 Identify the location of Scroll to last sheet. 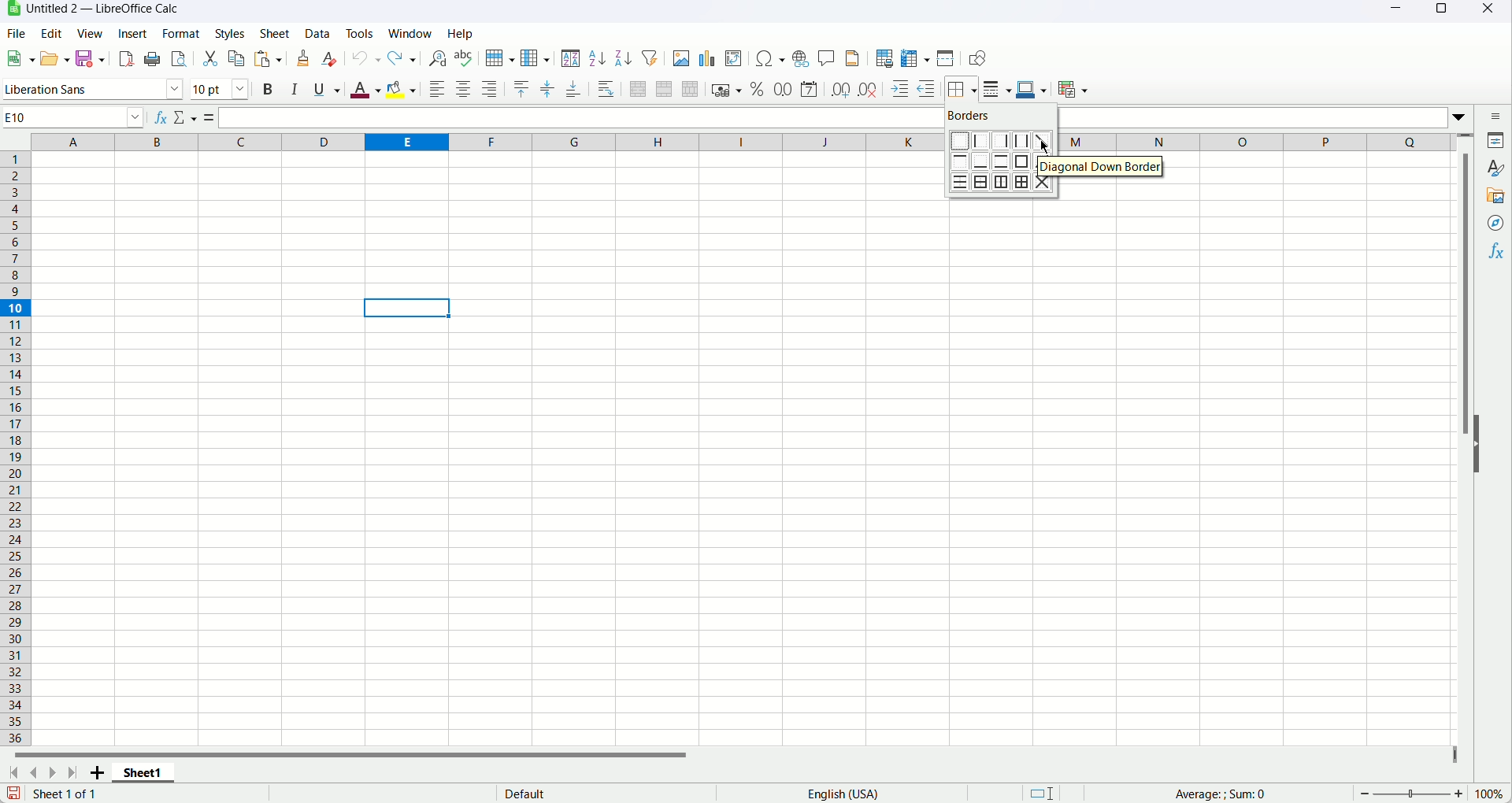
(76, 773).